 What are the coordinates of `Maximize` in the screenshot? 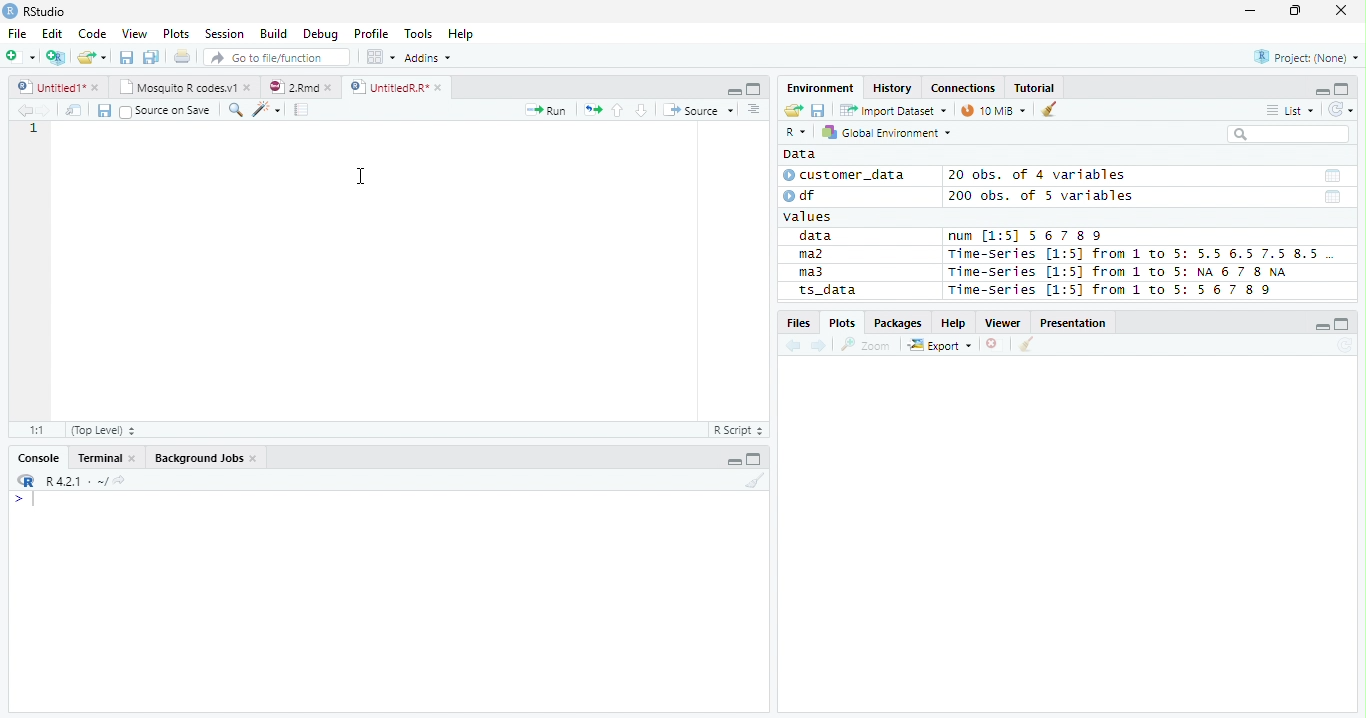 It's located at (1344, 324).